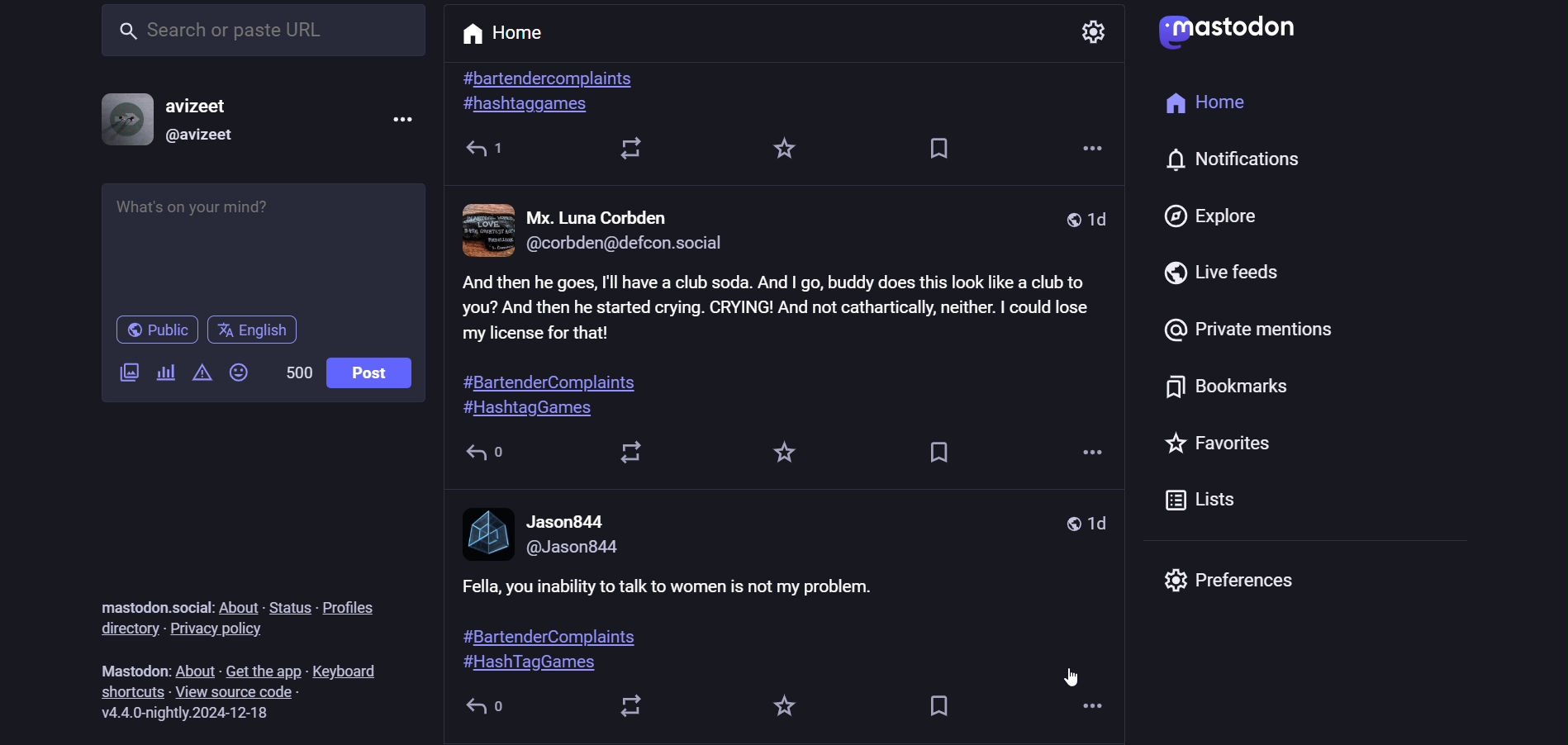 The height and width of the screenshot is (745, 1568). What do you see at coordinates (200, 137) in the screenshot?
I see `@avizeet` at bounding box center [200, 137].